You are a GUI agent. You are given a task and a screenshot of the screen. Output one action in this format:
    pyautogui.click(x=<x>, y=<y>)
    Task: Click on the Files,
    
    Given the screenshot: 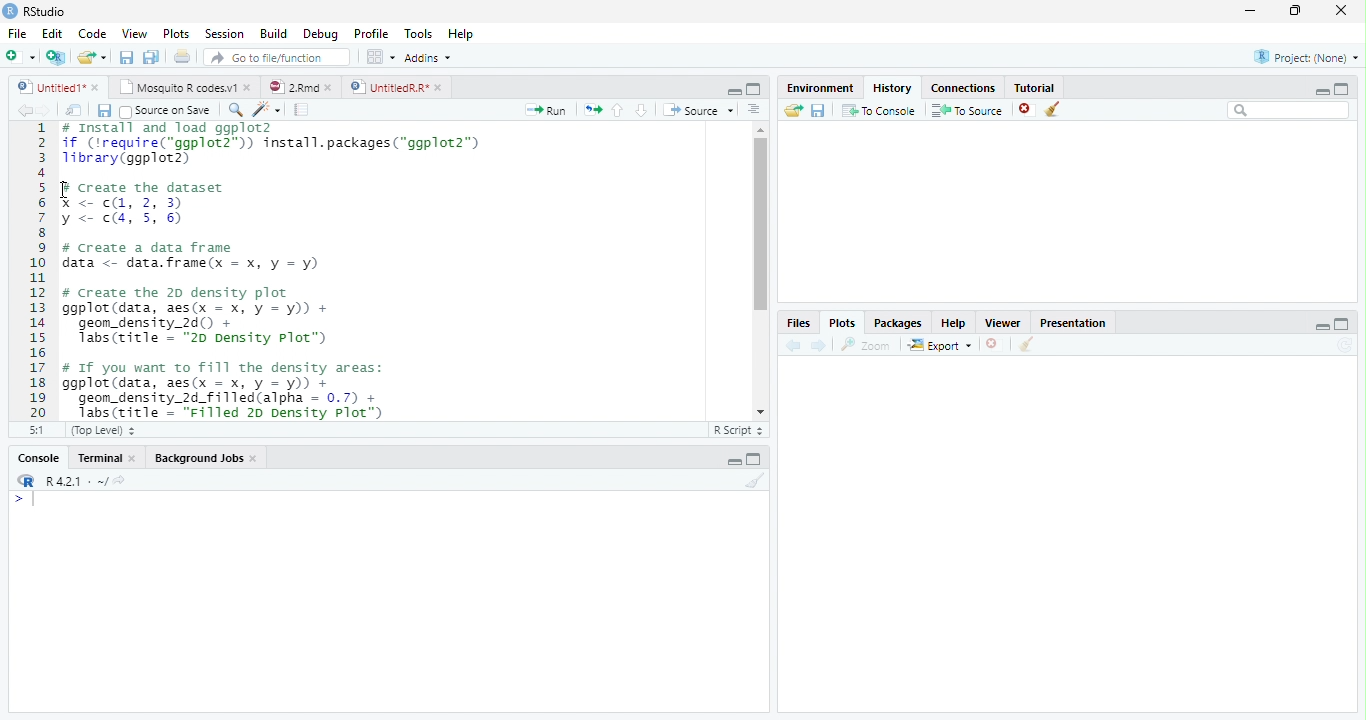 What is the action you would take?
    pyautogui.click(x=795, y=323)
    